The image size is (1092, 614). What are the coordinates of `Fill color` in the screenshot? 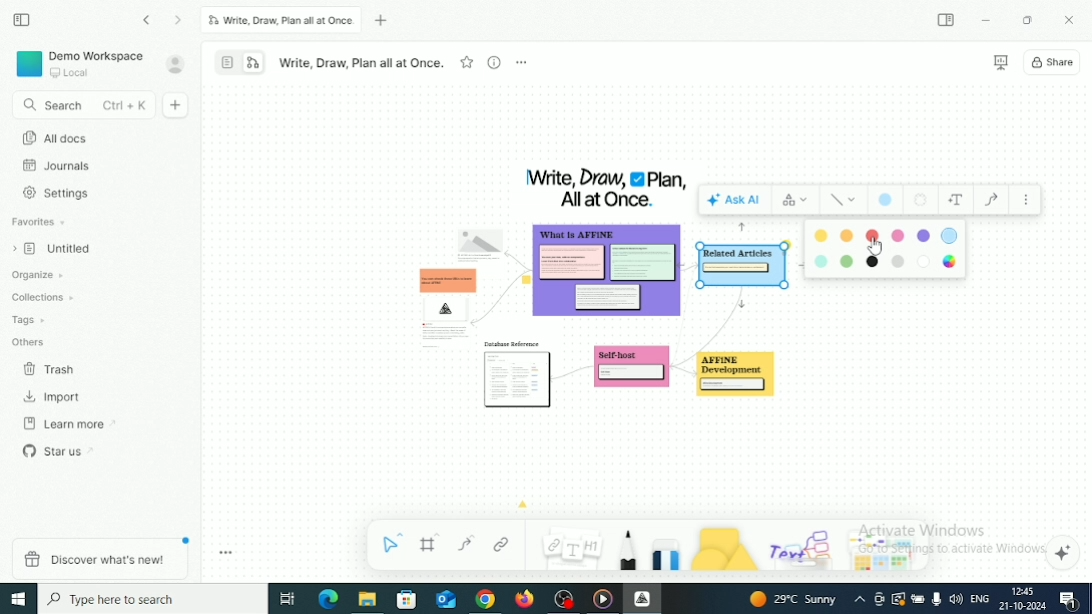 It's located at (885, 199).